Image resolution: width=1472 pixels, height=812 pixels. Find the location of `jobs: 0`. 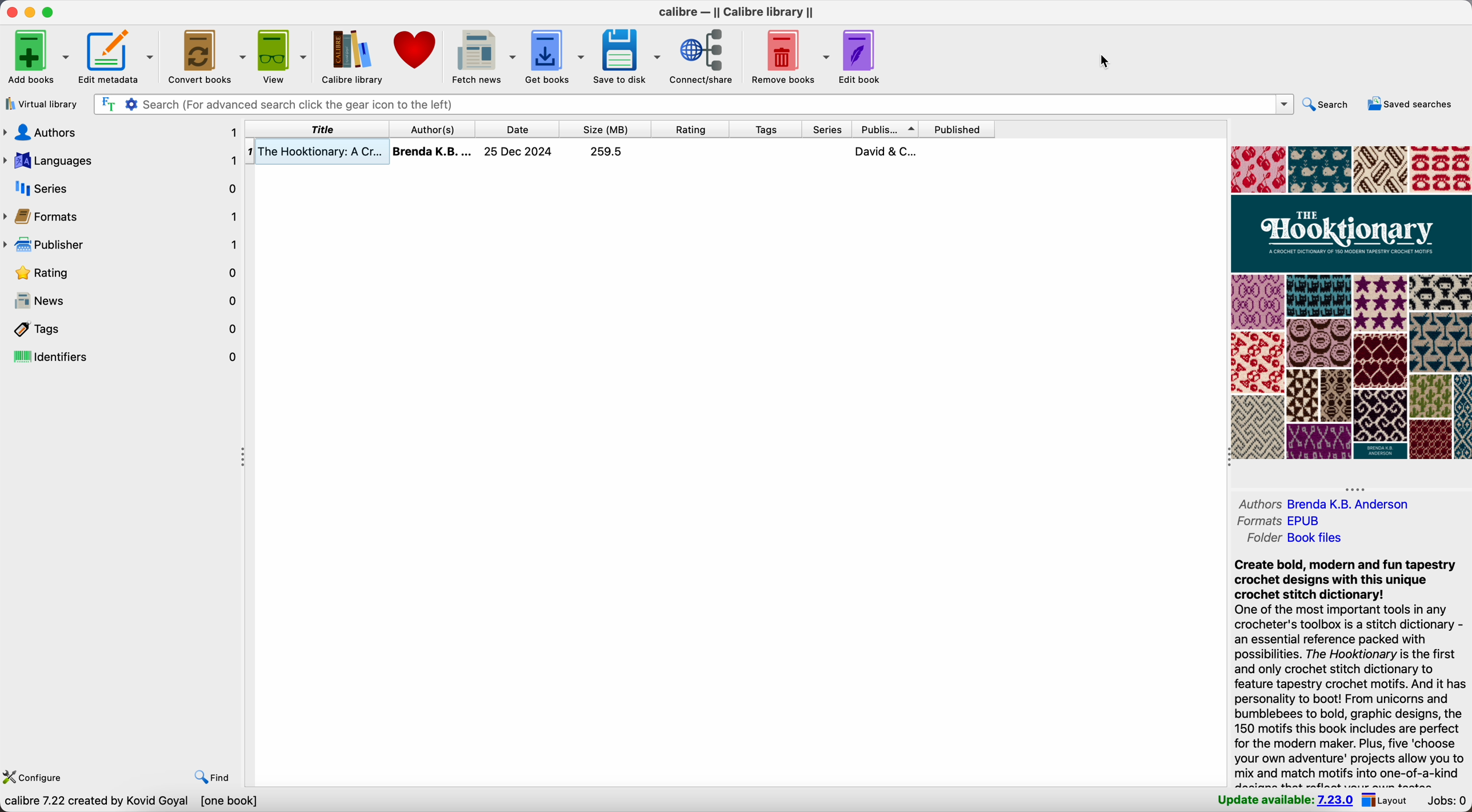

jobs: 0 is located at coordinates (1447, 801).